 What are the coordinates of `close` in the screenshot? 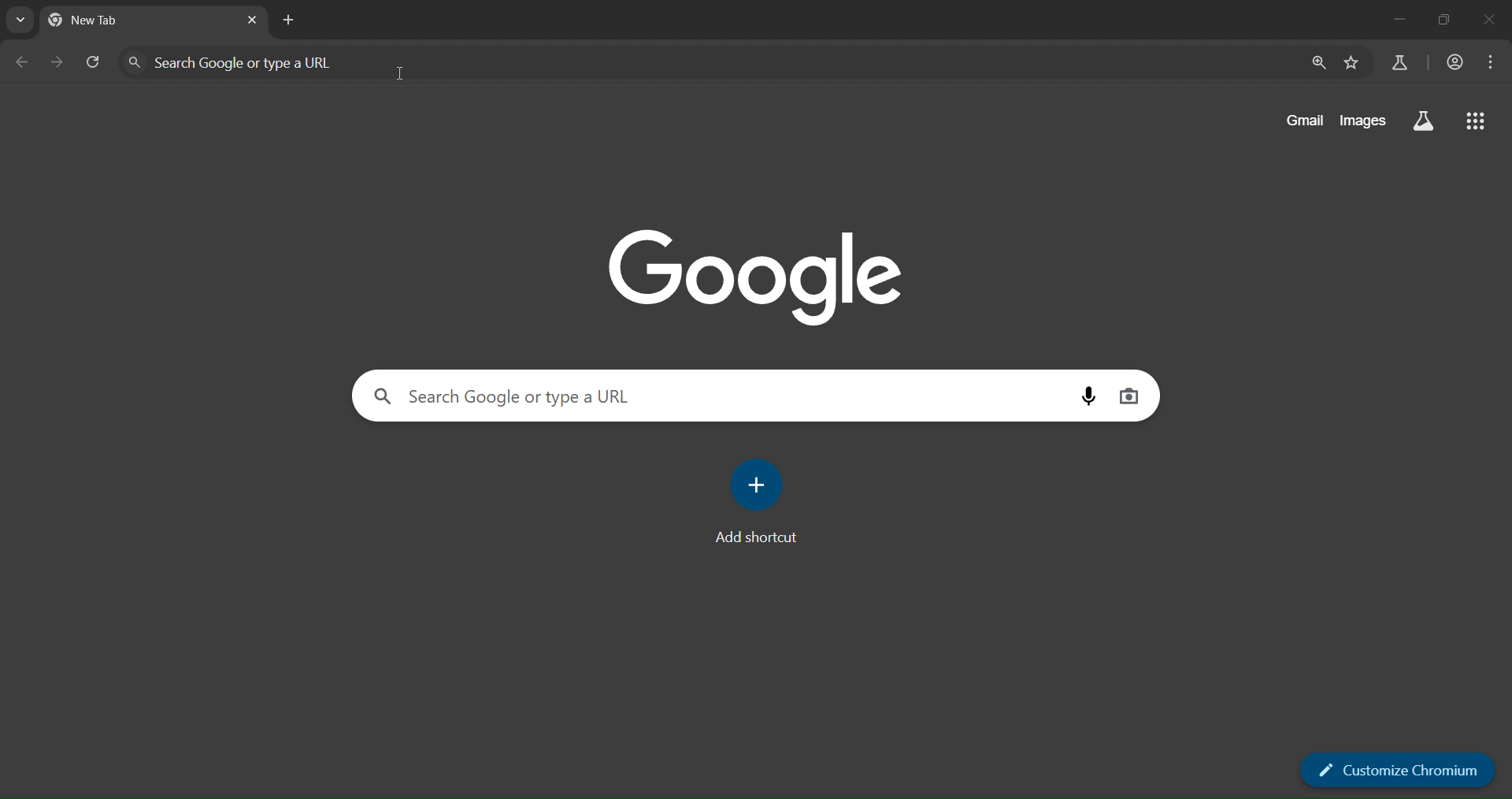 It's located at (1488, 20).